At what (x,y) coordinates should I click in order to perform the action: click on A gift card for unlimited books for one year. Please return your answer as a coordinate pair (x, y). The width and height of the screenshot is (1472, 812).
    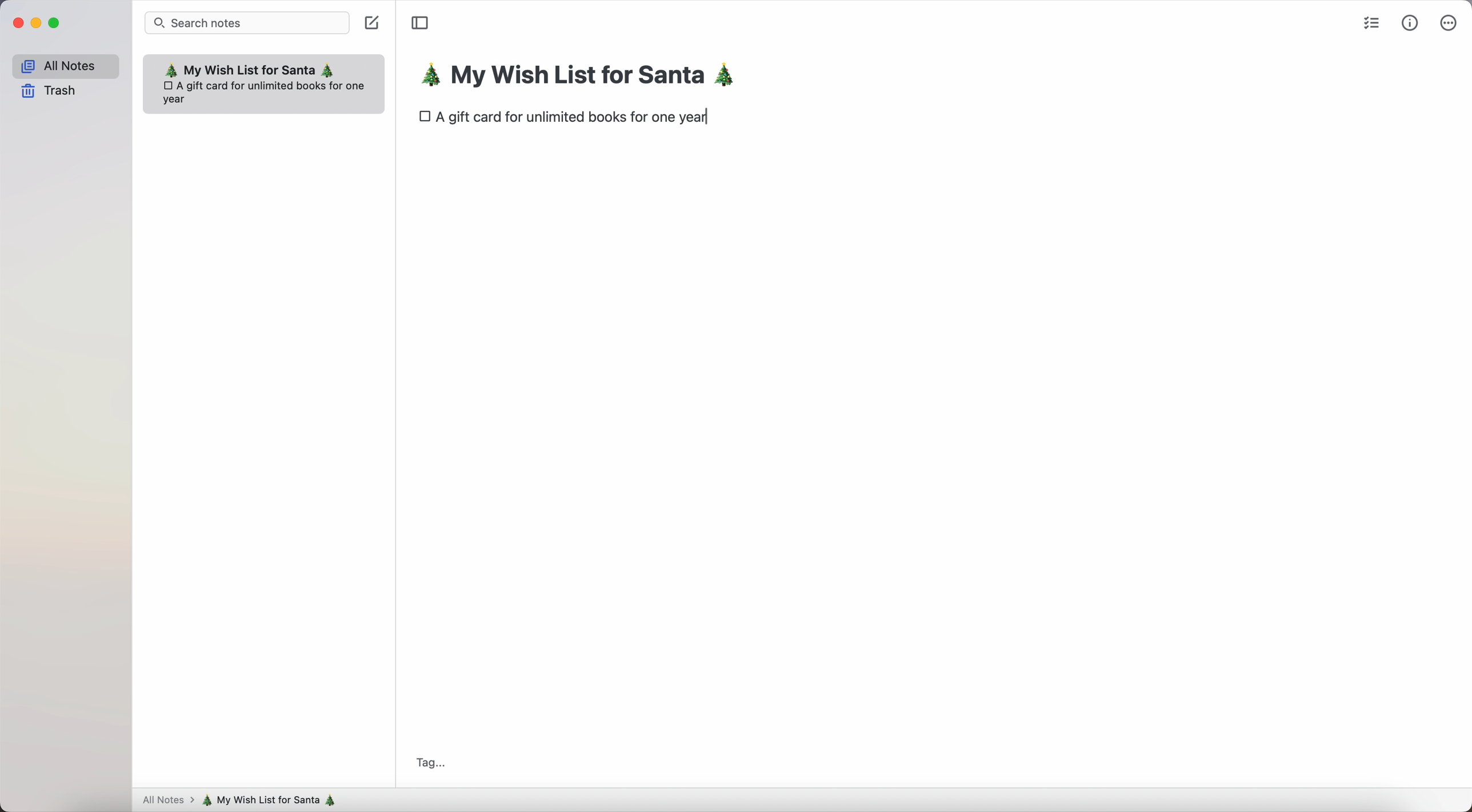
    Looking at the image, I should click on (577, 119).